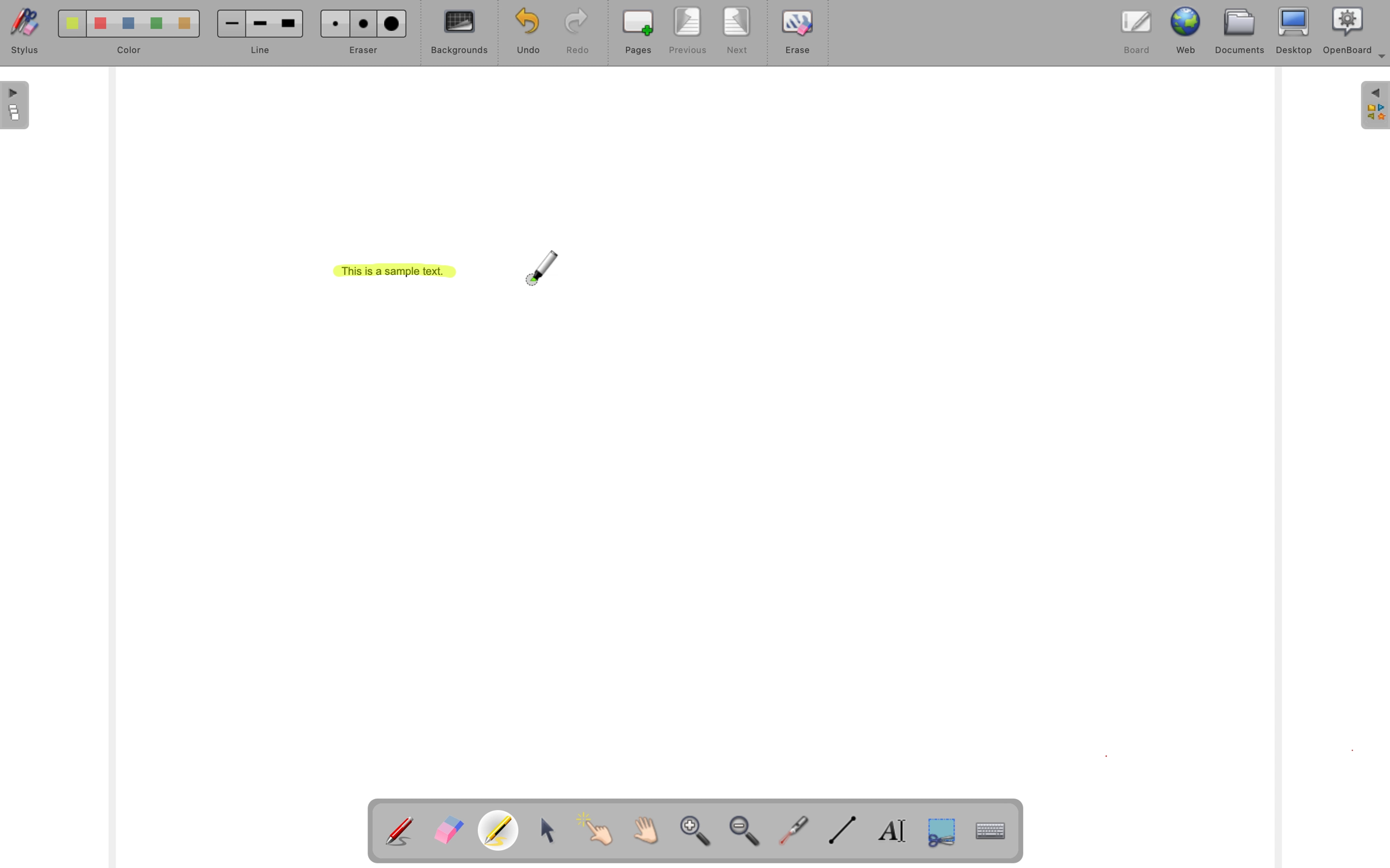 Image resolution: width=1390 pixels, height=868 pixels. What do you see at coordinates (688, 31) in the screenshot?
I see `previous` at bounding box center [688, 31].